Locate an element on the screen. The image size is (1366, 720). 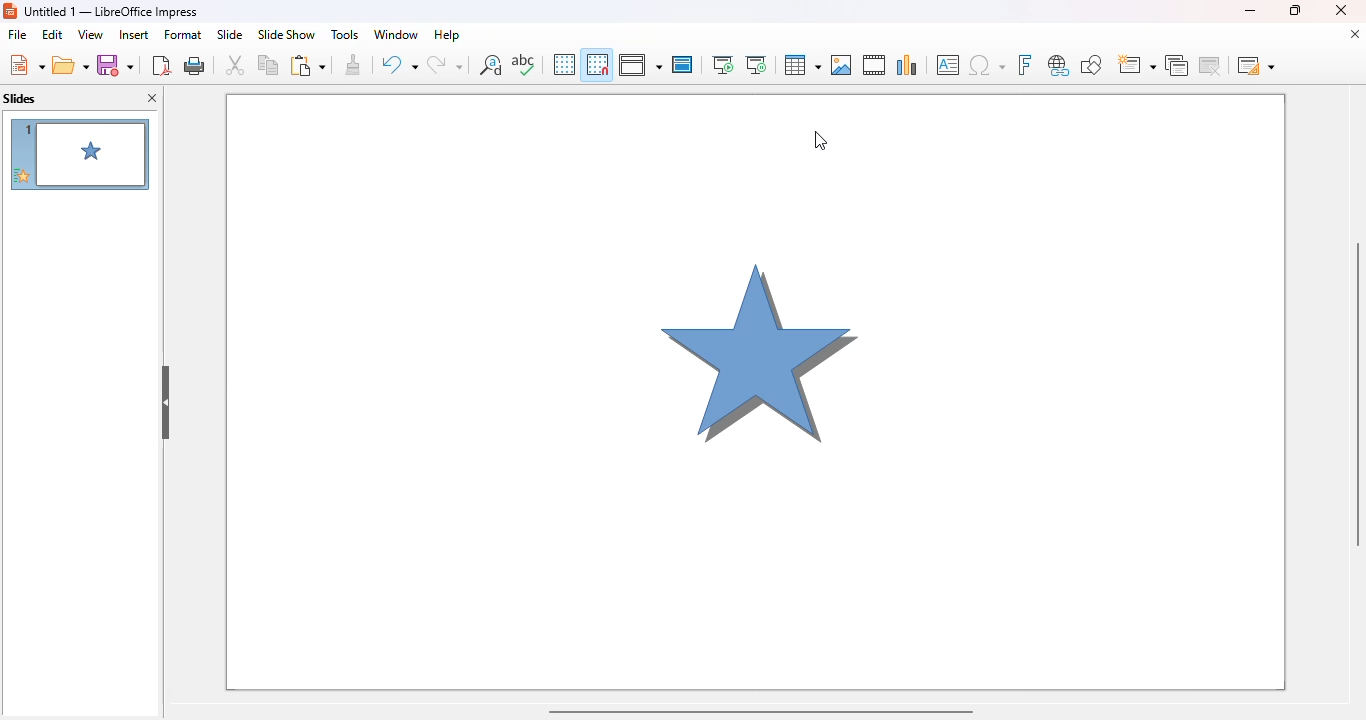
insert is located at coordinates (135, 34).